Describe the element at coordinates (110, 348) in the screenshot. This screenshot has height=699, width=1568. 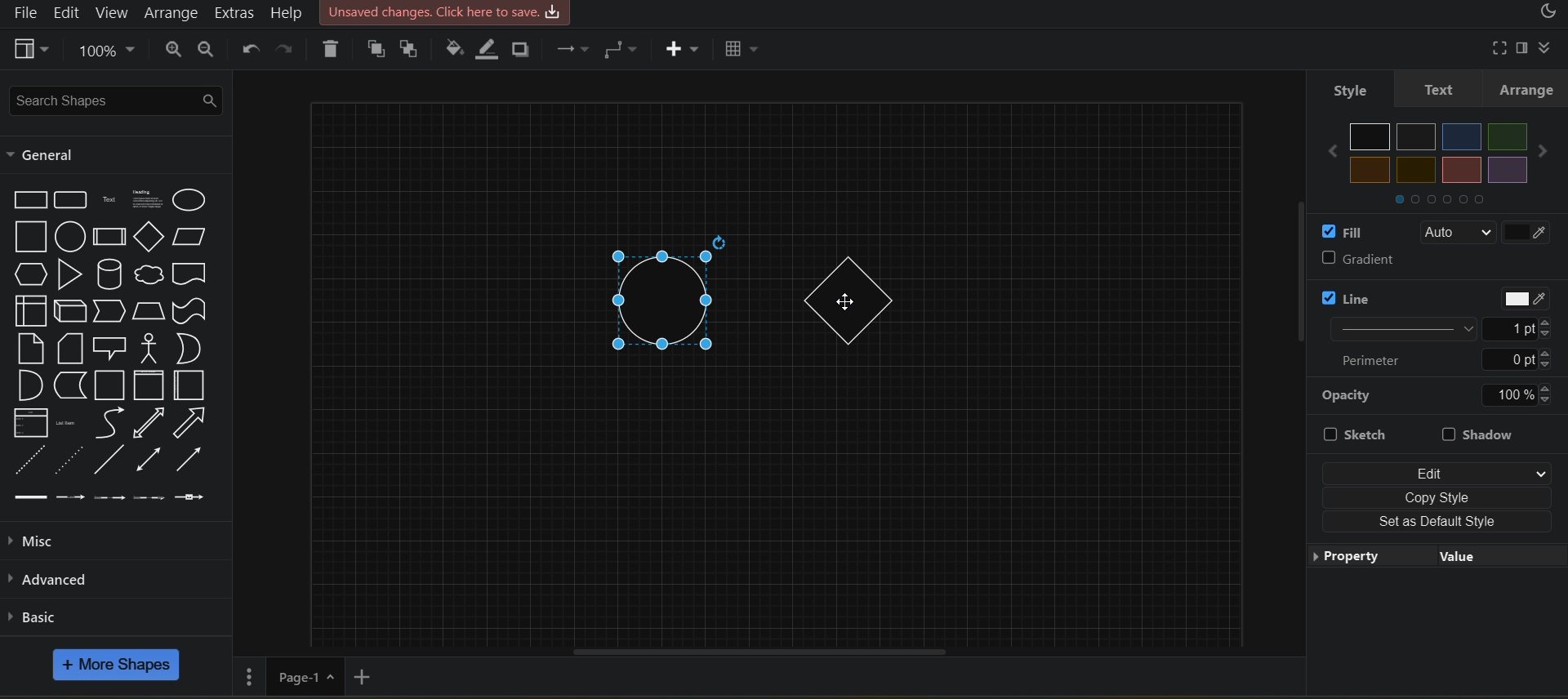
I see `Callout` at that location.